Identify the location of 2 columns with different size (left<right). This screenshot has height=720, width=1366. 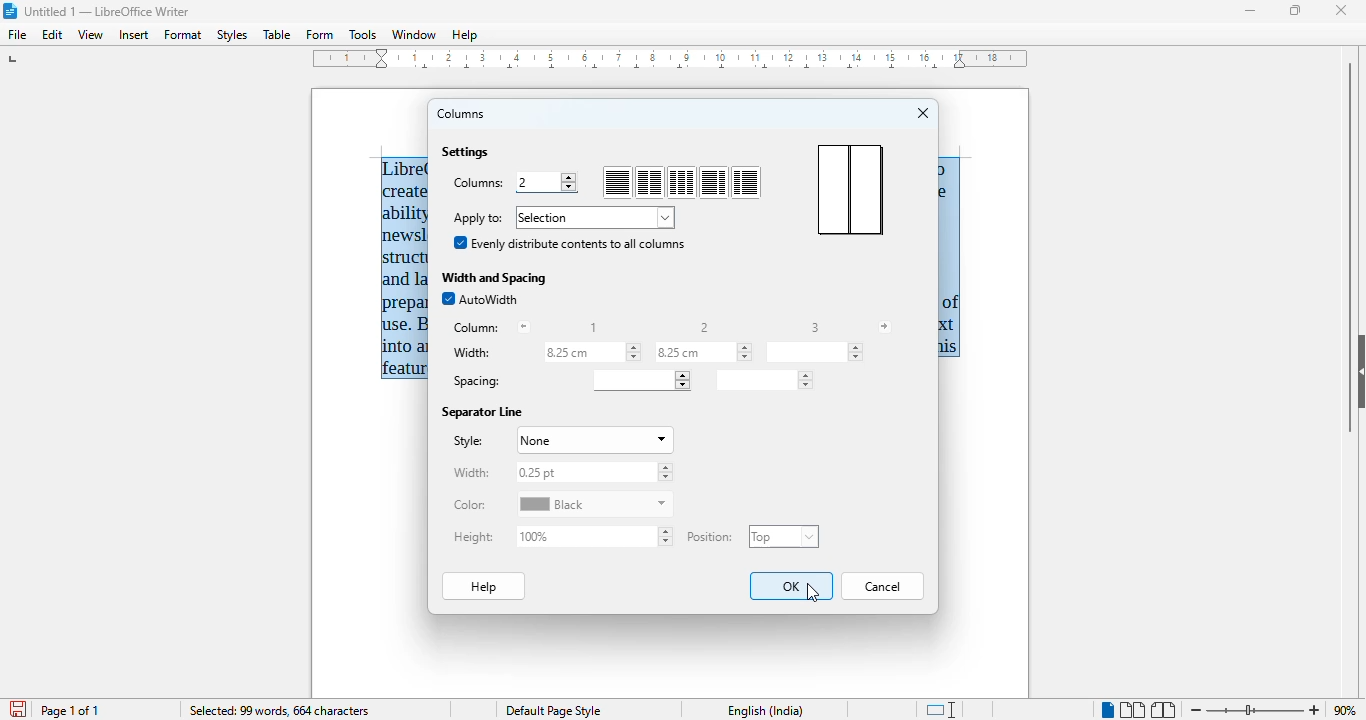
(746, 183).